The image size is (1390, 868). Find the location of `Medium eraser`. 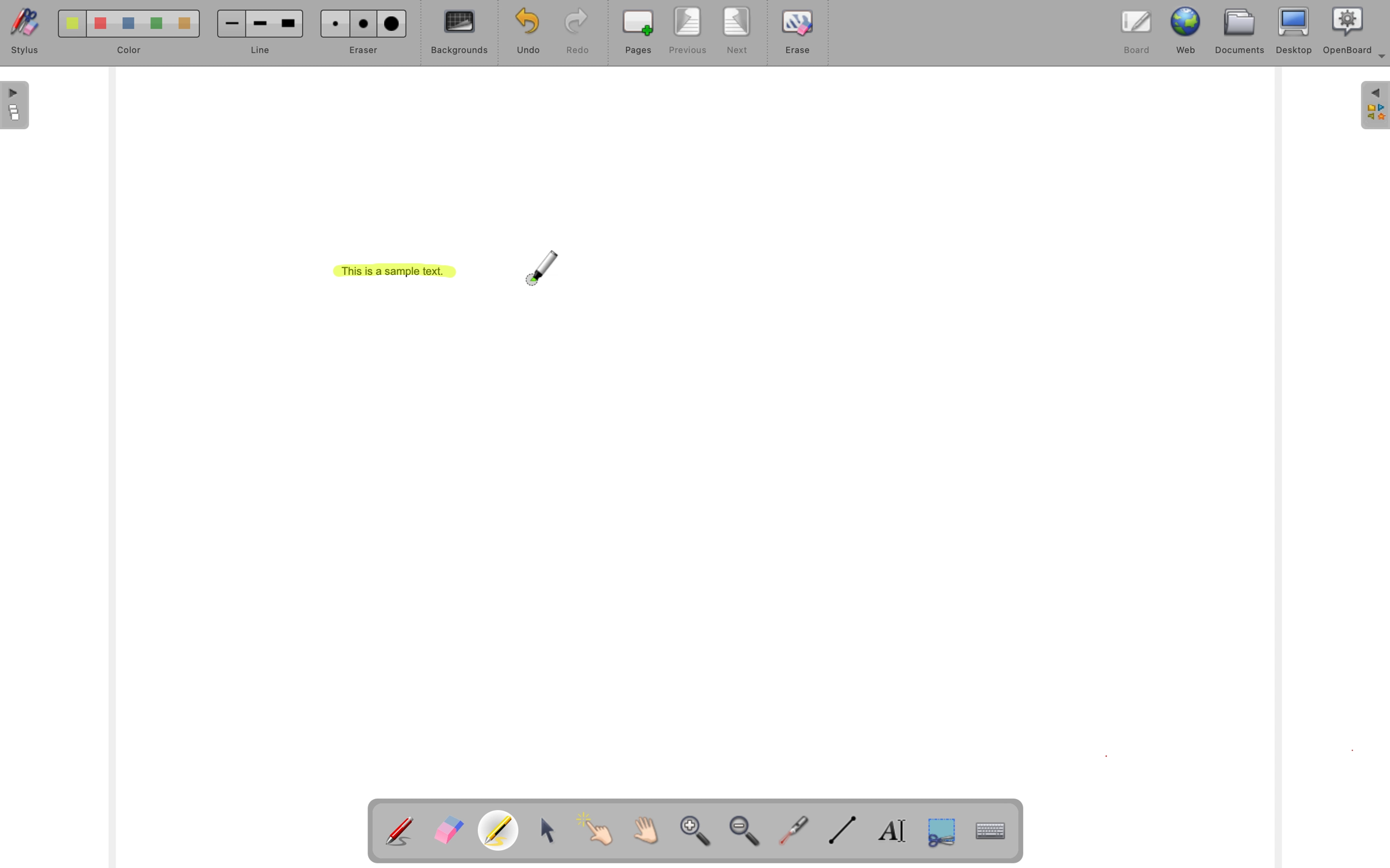

Medium eraser is located at coordinates (365, 25).